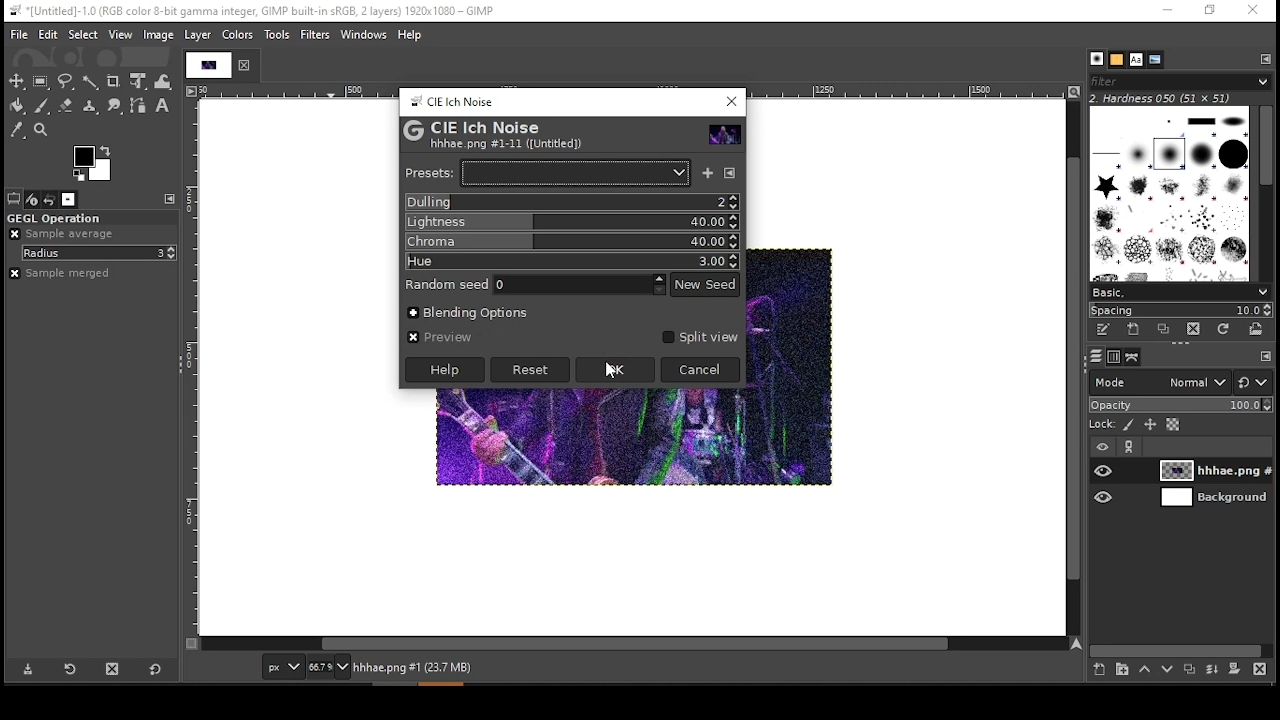 The width and height of the screenshot is (1280, 720). I want to click on connfigure this tab, so click(735, 174).